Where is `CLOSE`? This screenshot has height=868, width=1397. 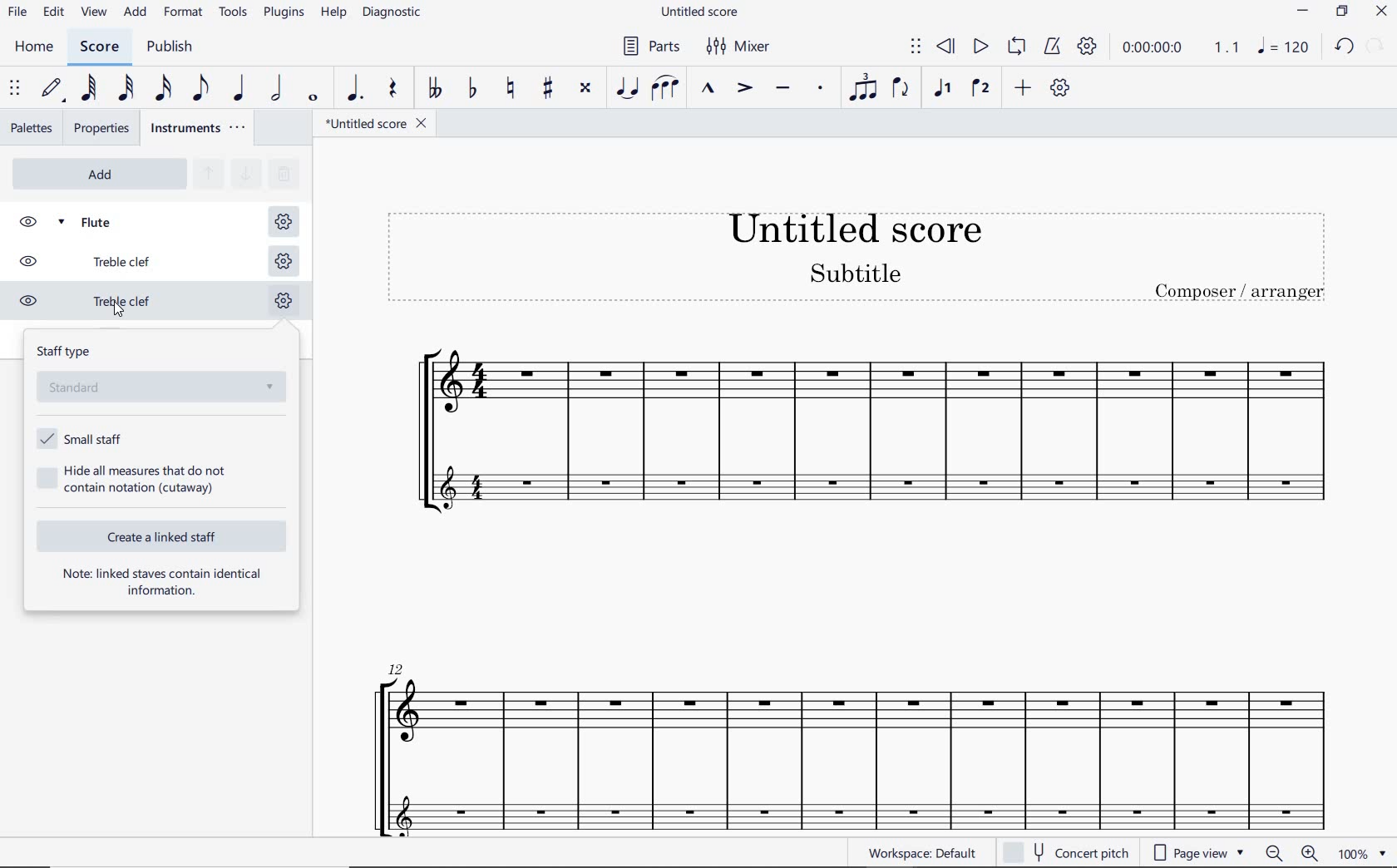
CLOSE is located at coordinates (1381, 12).